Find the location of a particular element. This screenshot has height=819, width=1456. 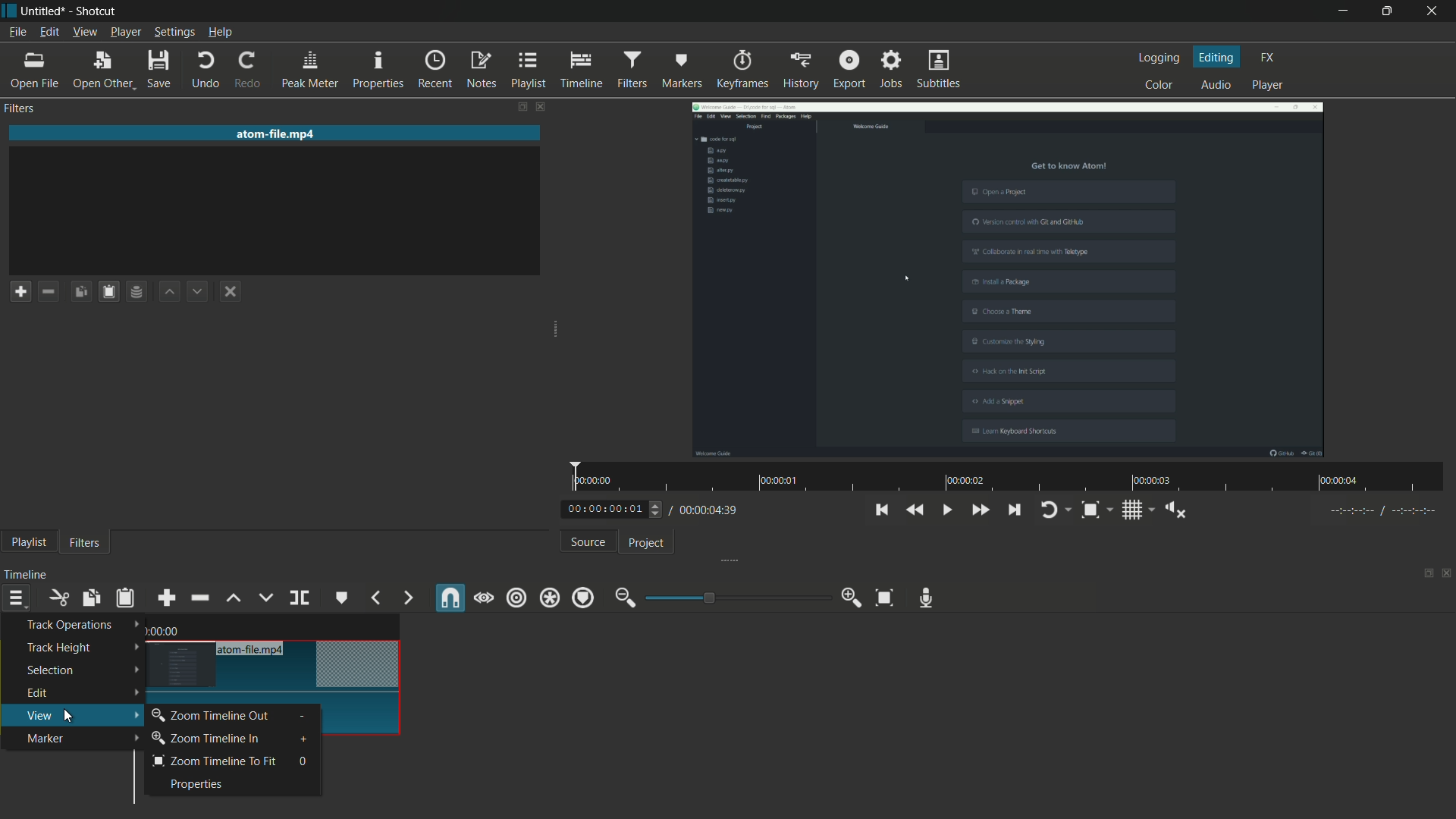

track height is located at coordinates (81, 648).